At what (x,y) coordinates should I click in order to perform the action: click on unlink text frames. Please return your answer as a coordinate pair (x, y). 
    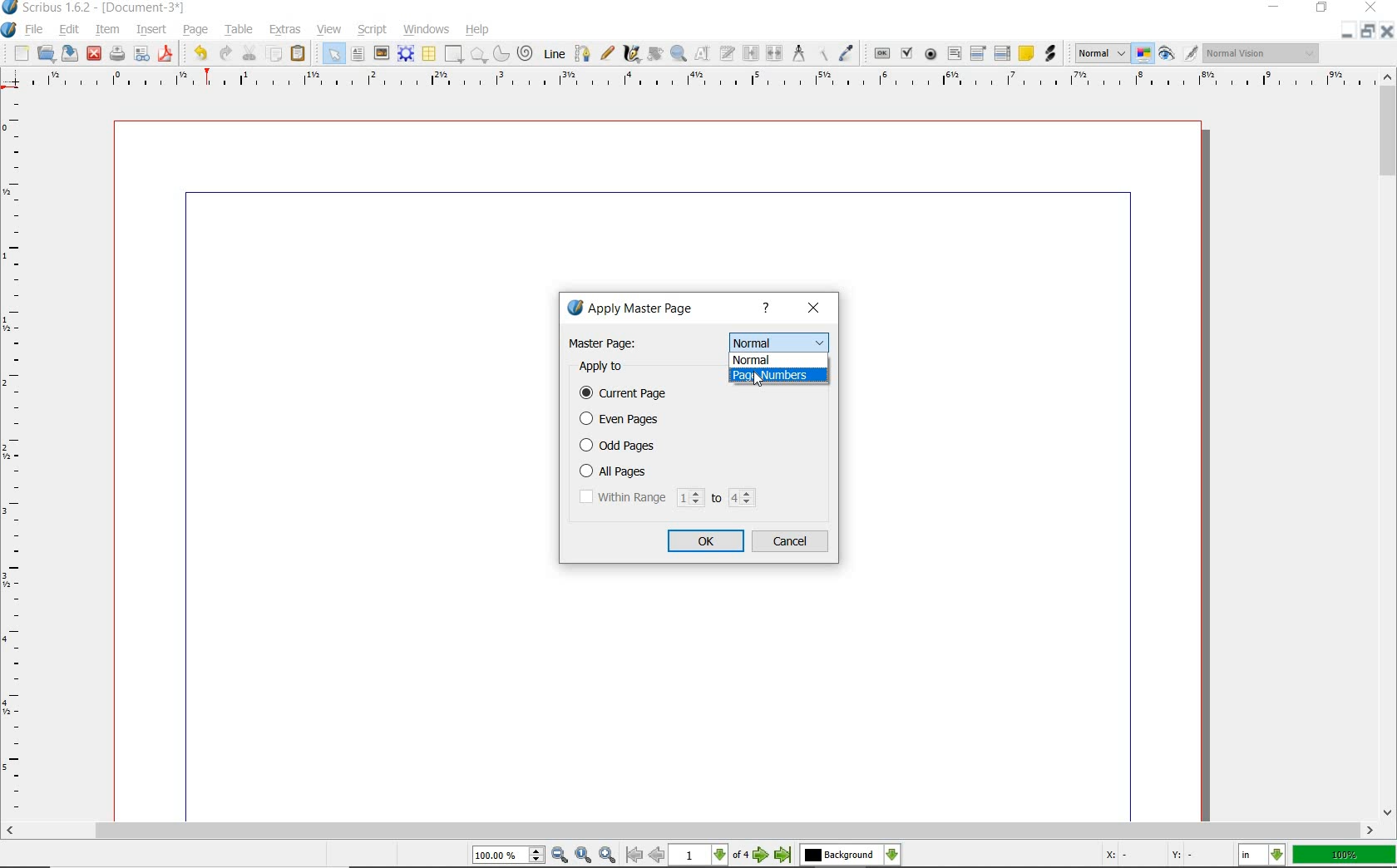
    Looking at the image, I should click on (775, 55).